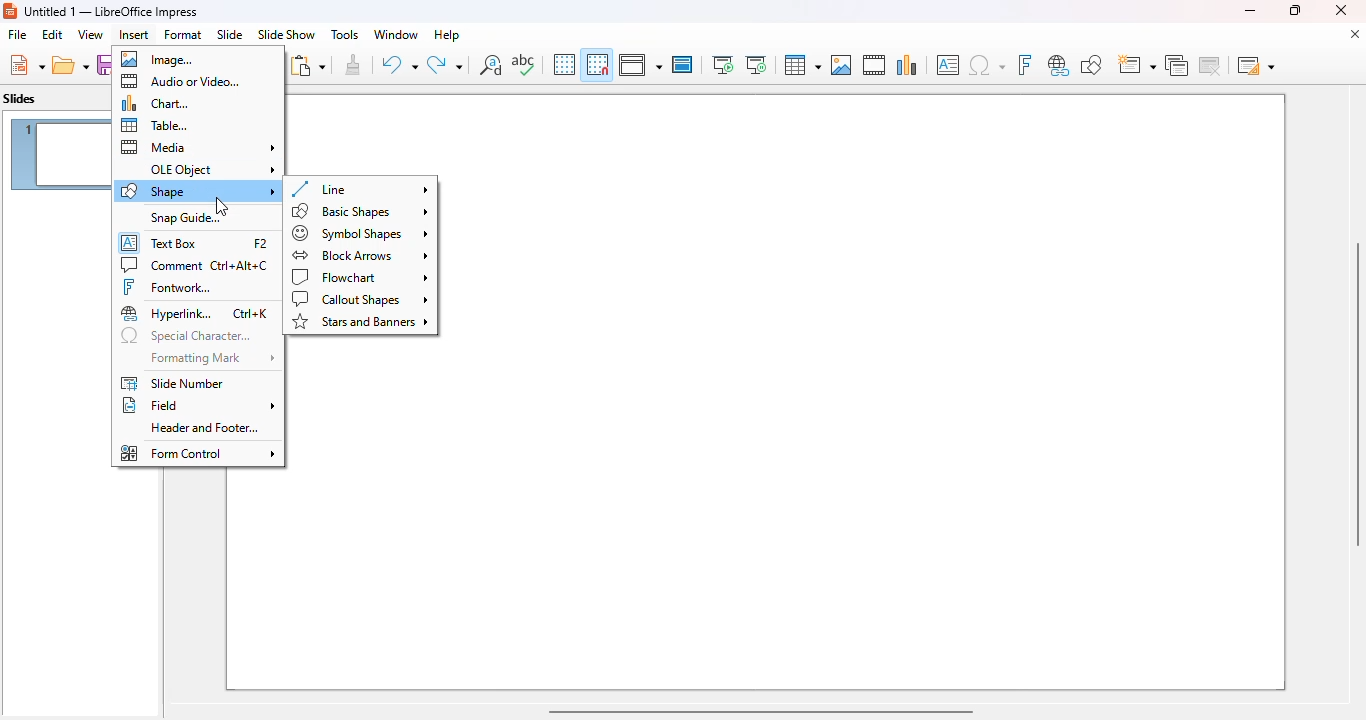  What do you see at coordinates (907, 64) in the screenshot?
I see `insert chart` at bounding box center [907, 64].